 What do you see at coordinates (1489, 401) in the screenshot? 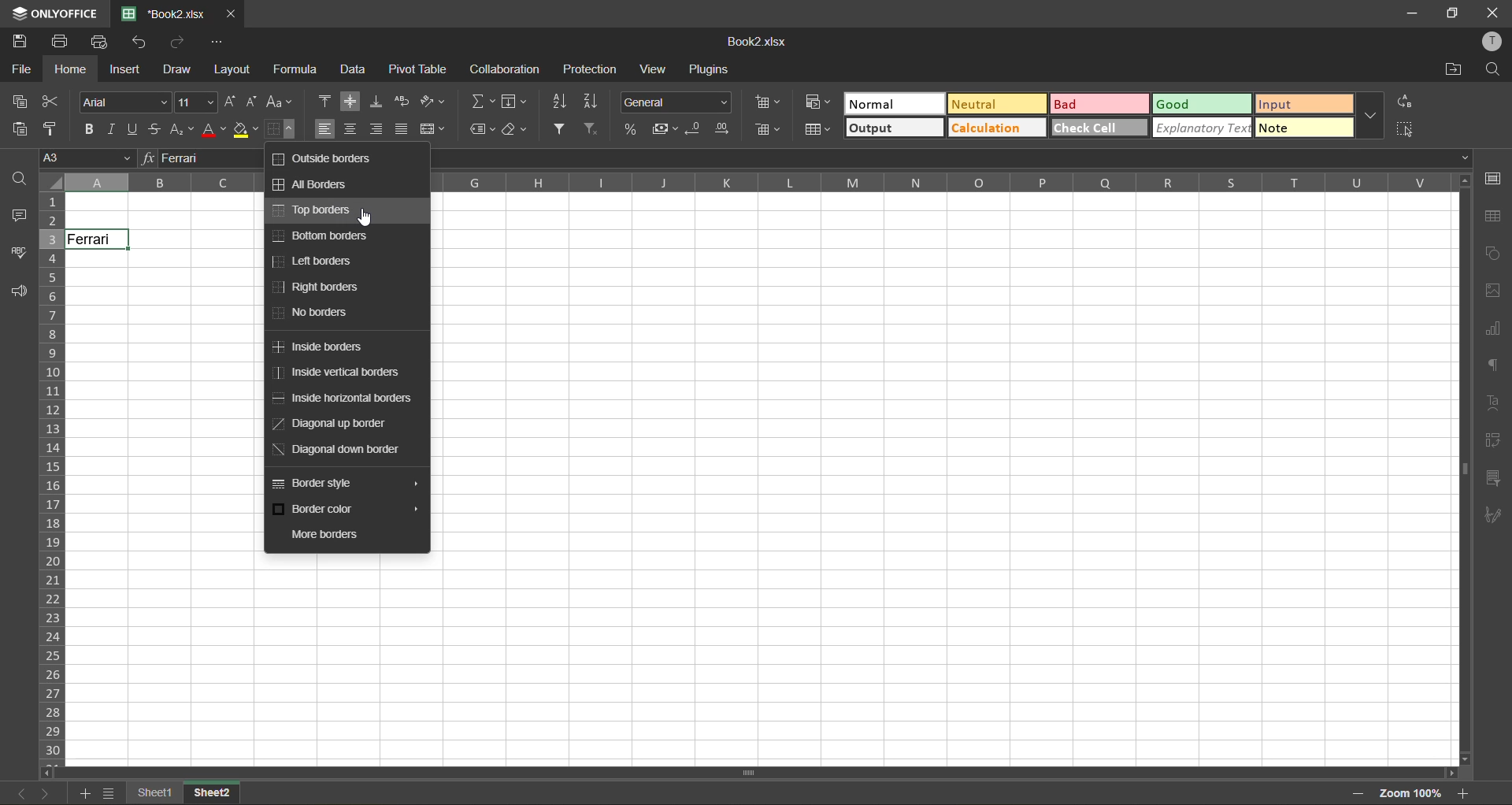
I see `text` at bounding box center [1489, 401].